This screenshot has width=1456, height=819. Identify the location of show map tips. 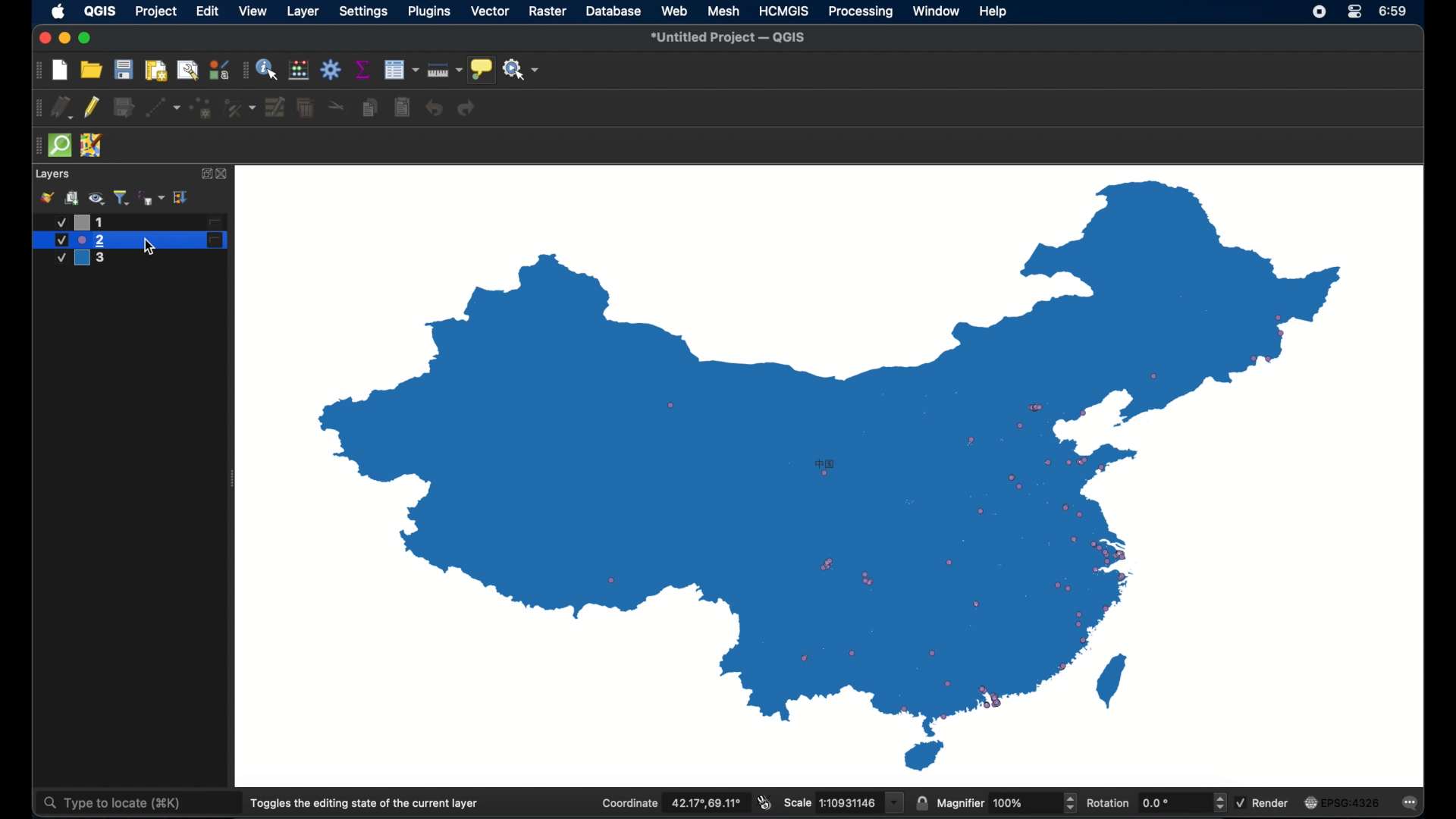
(482, 70).